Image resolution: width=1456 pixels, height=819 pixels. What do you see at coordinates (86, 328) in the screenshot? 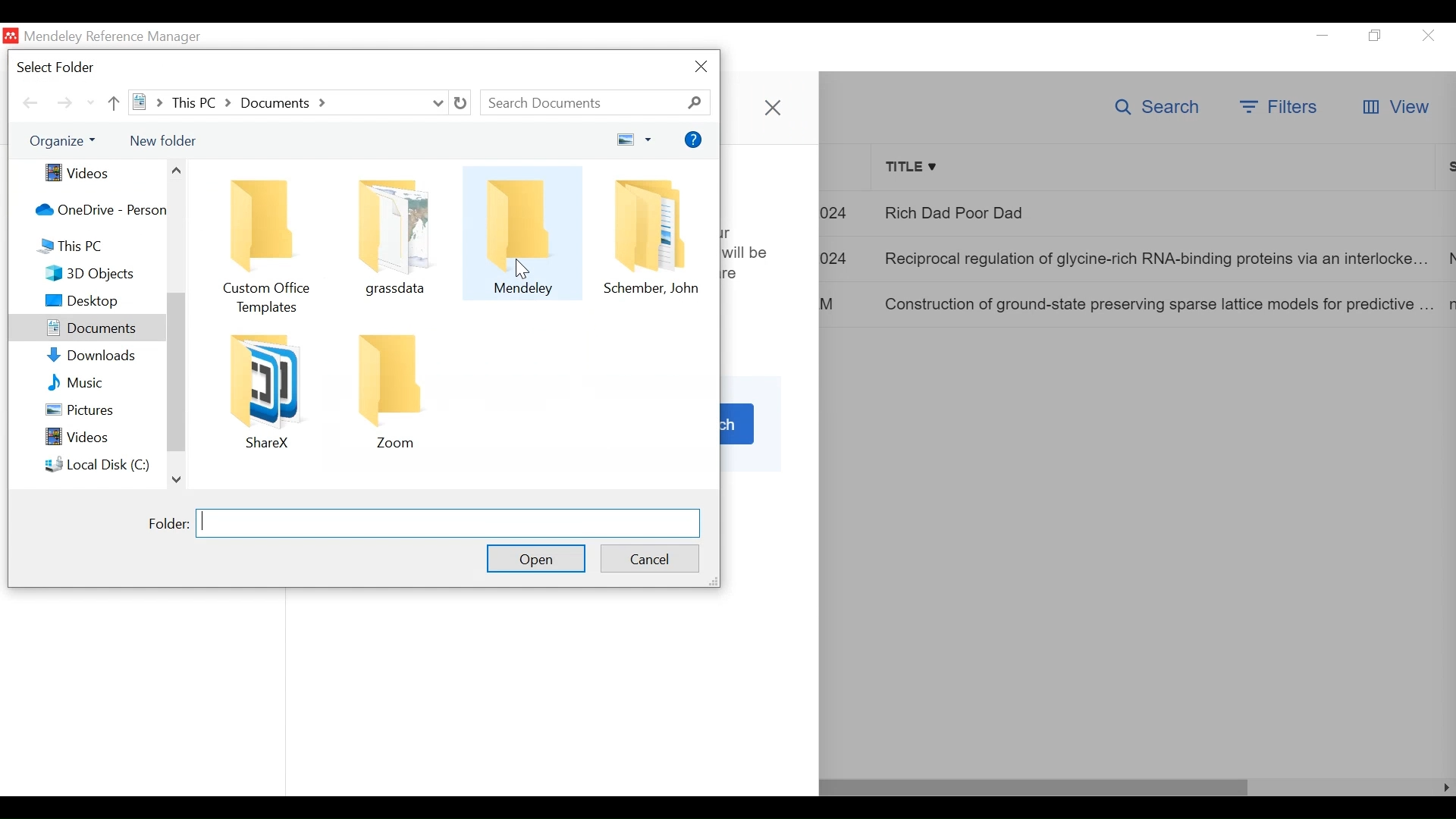
I see `` at bounding box center [86, 328].